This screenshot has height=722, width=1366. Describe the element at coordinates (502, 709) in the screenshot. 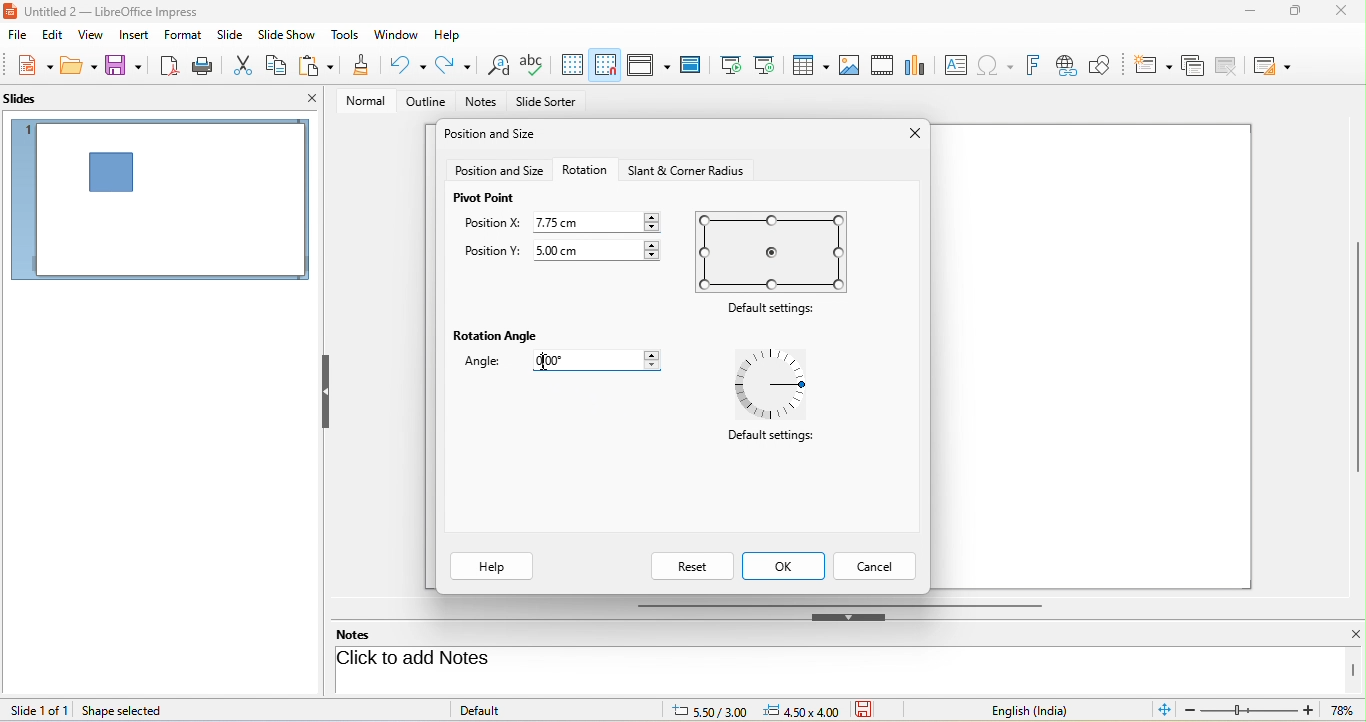

I see `default` at that location.